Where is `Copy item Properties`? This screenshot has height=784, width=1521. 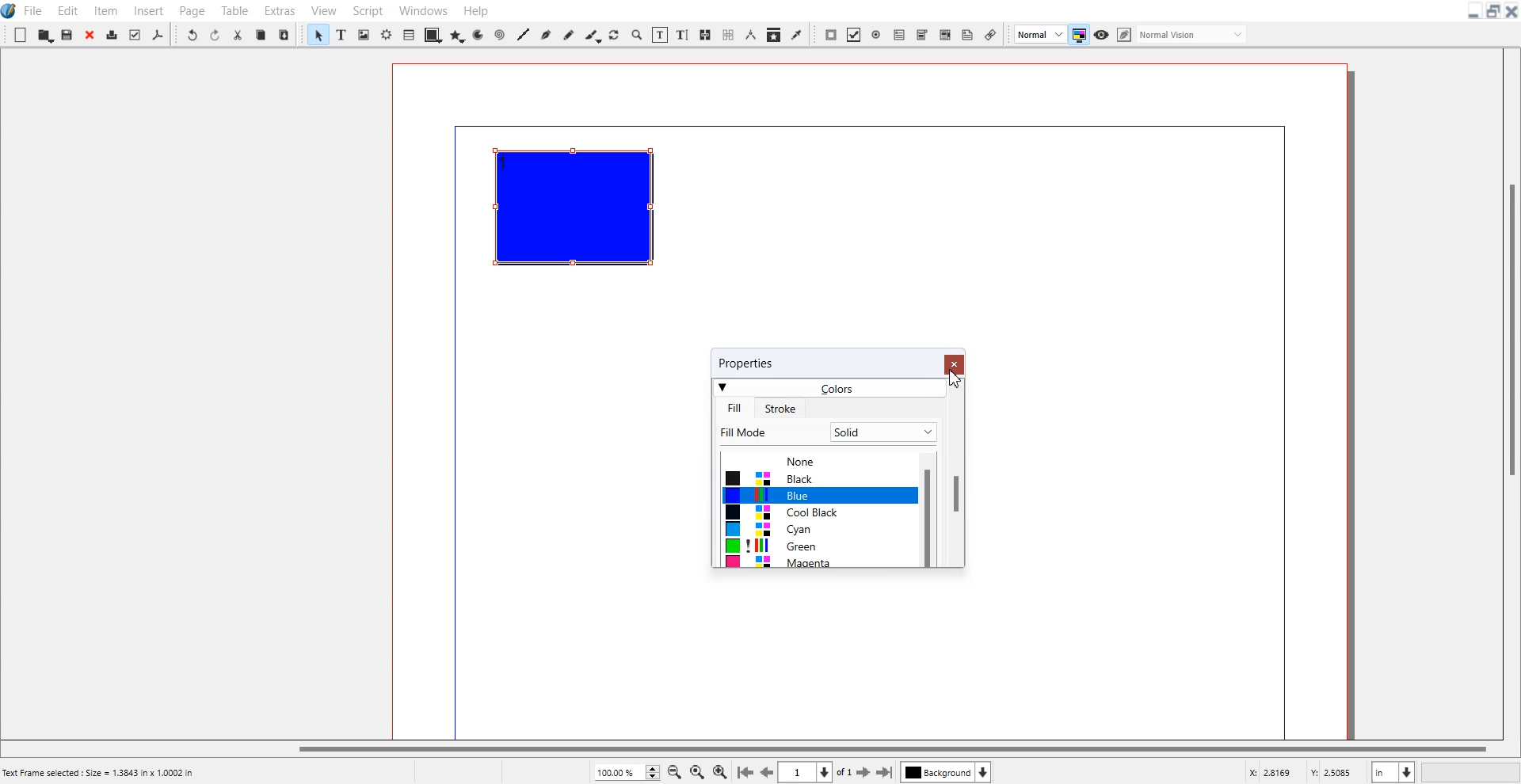 Copy item Properties is located at coordinates (773, 34).